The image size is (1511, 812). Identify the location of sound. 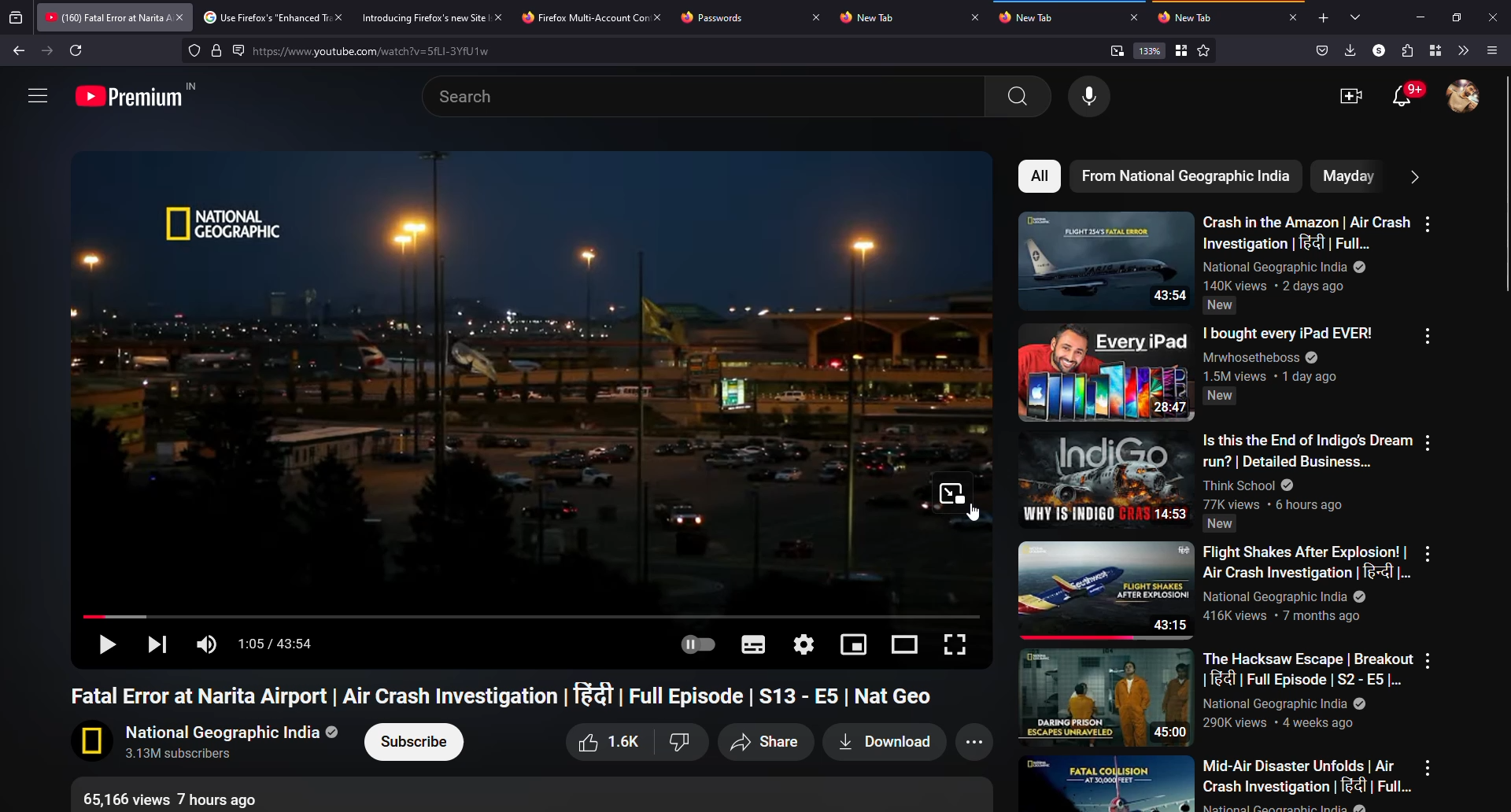
(209, 644).